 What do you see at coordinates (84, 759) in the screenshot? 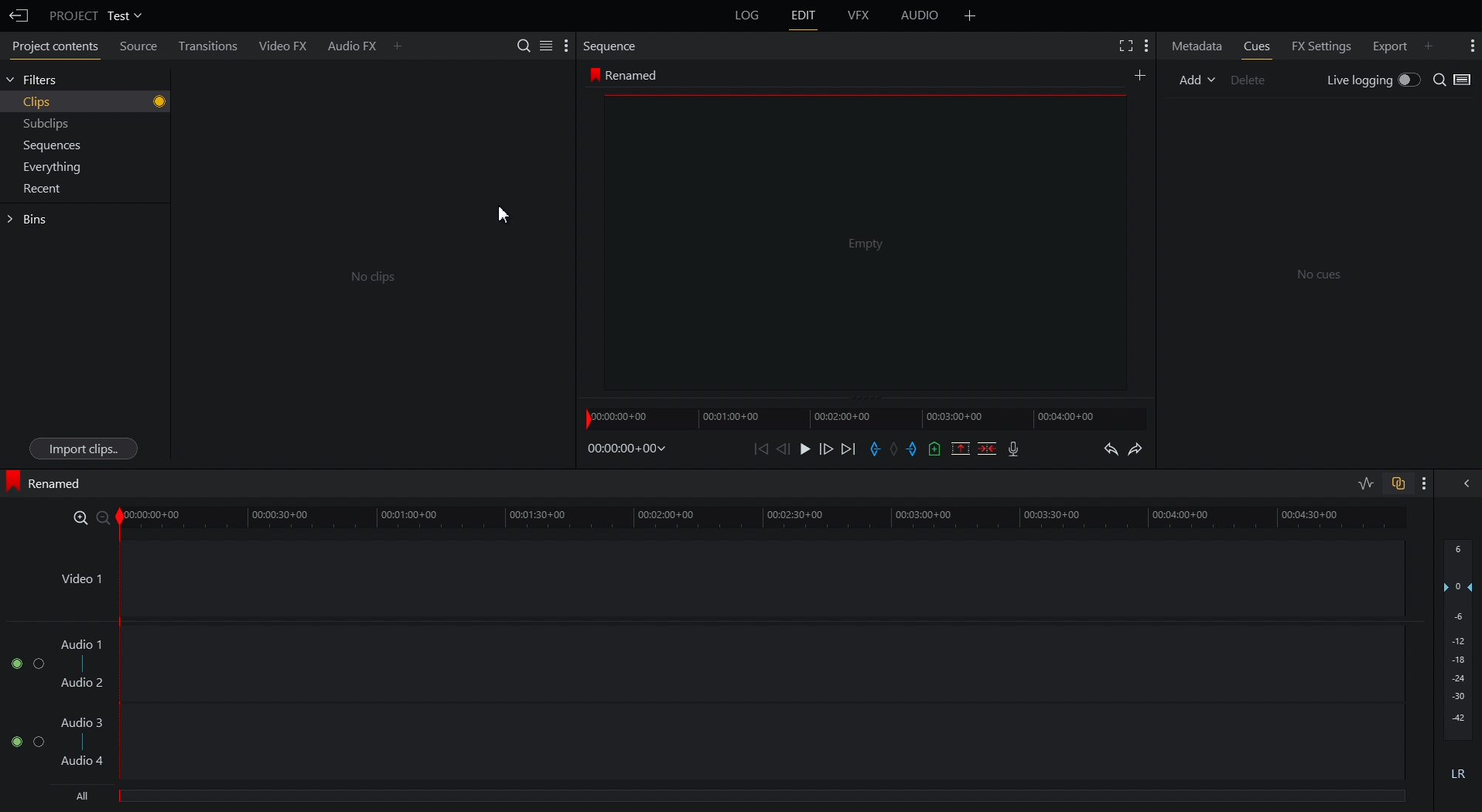
I see `Audio 4` at bounding box center [84, 759].